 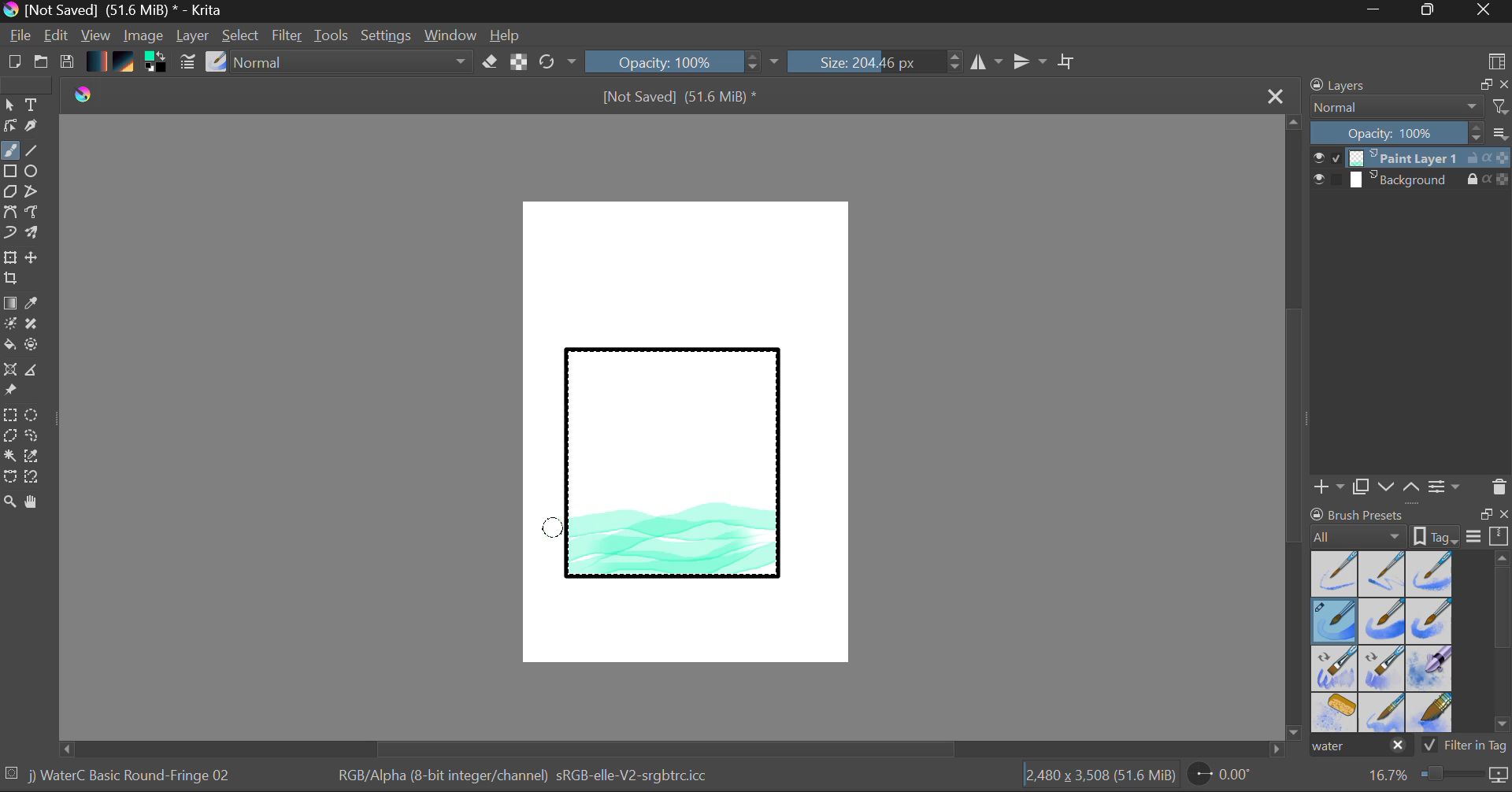 I want to click on Tools, so click(x=332, y=36).